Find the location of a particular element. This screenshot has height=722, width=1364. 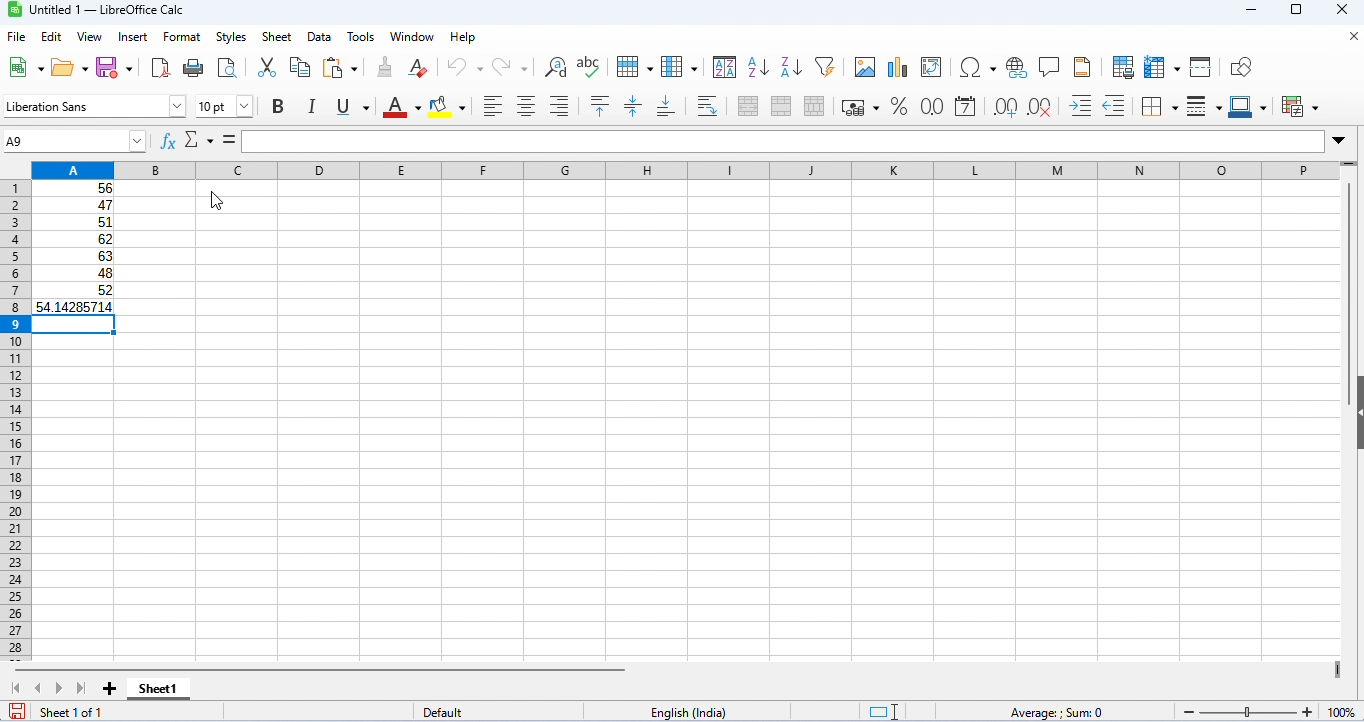

standard selection is located at coordinates (886, 712).